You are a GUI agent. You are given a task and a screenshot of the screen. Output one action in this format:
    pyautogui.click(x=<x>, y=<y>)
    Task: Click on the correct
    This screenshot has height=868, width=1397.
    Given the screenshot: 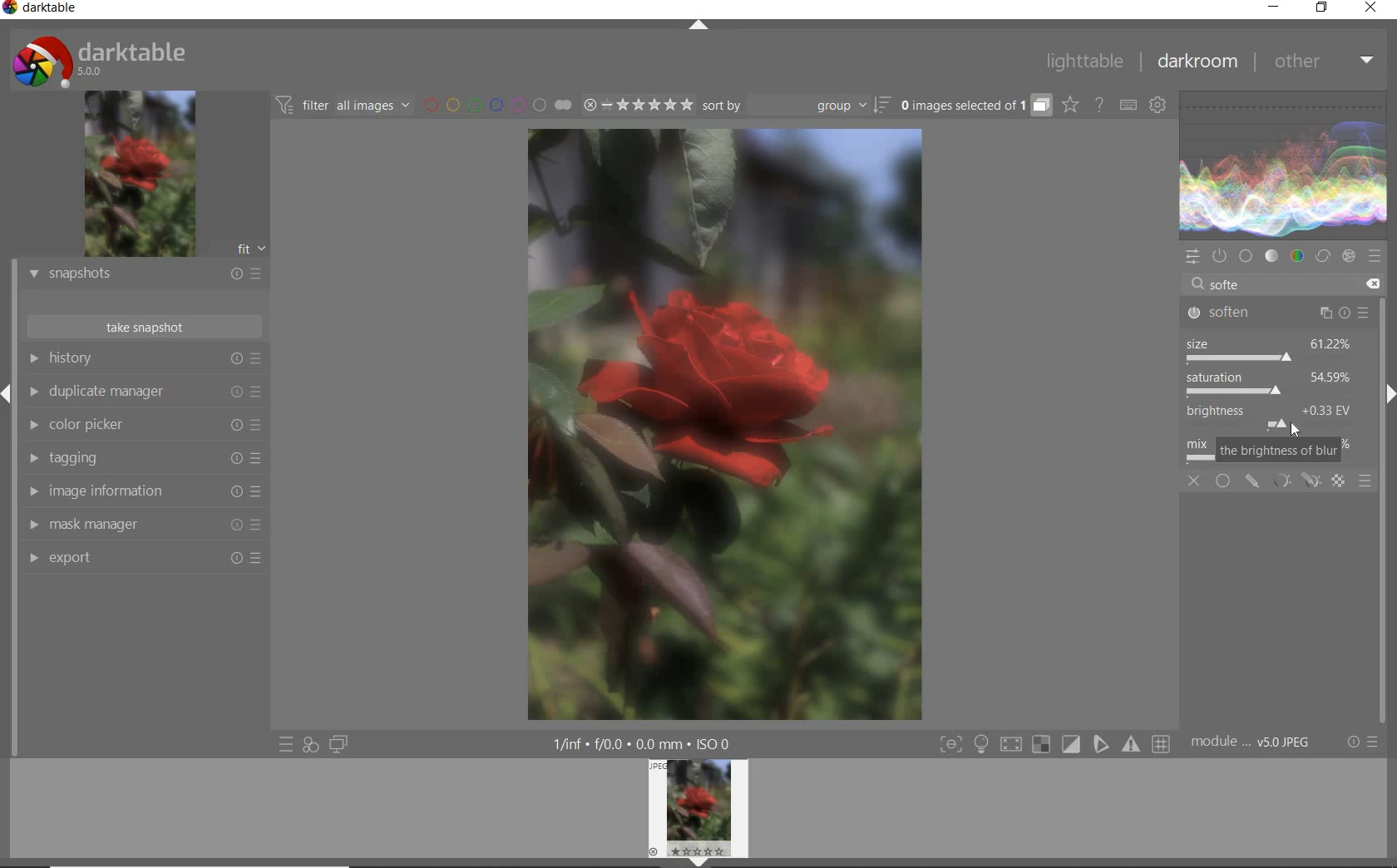 What is the action you would take?
    pyautogui.click(x=1322, y=257)
    